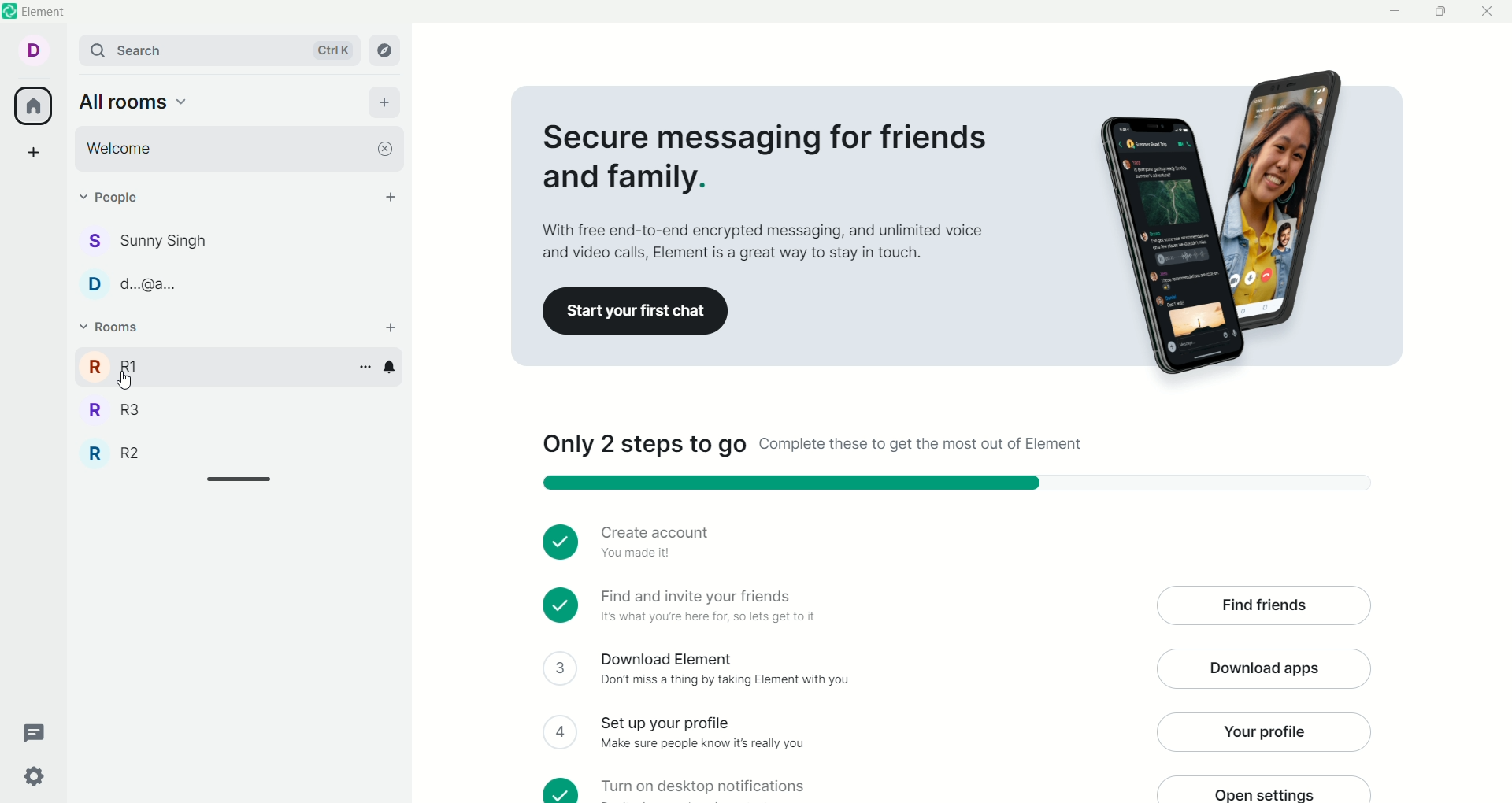 Image resolution: width=1512 pixels, height=803 pixels. I want to click on home, so click(32, 105).